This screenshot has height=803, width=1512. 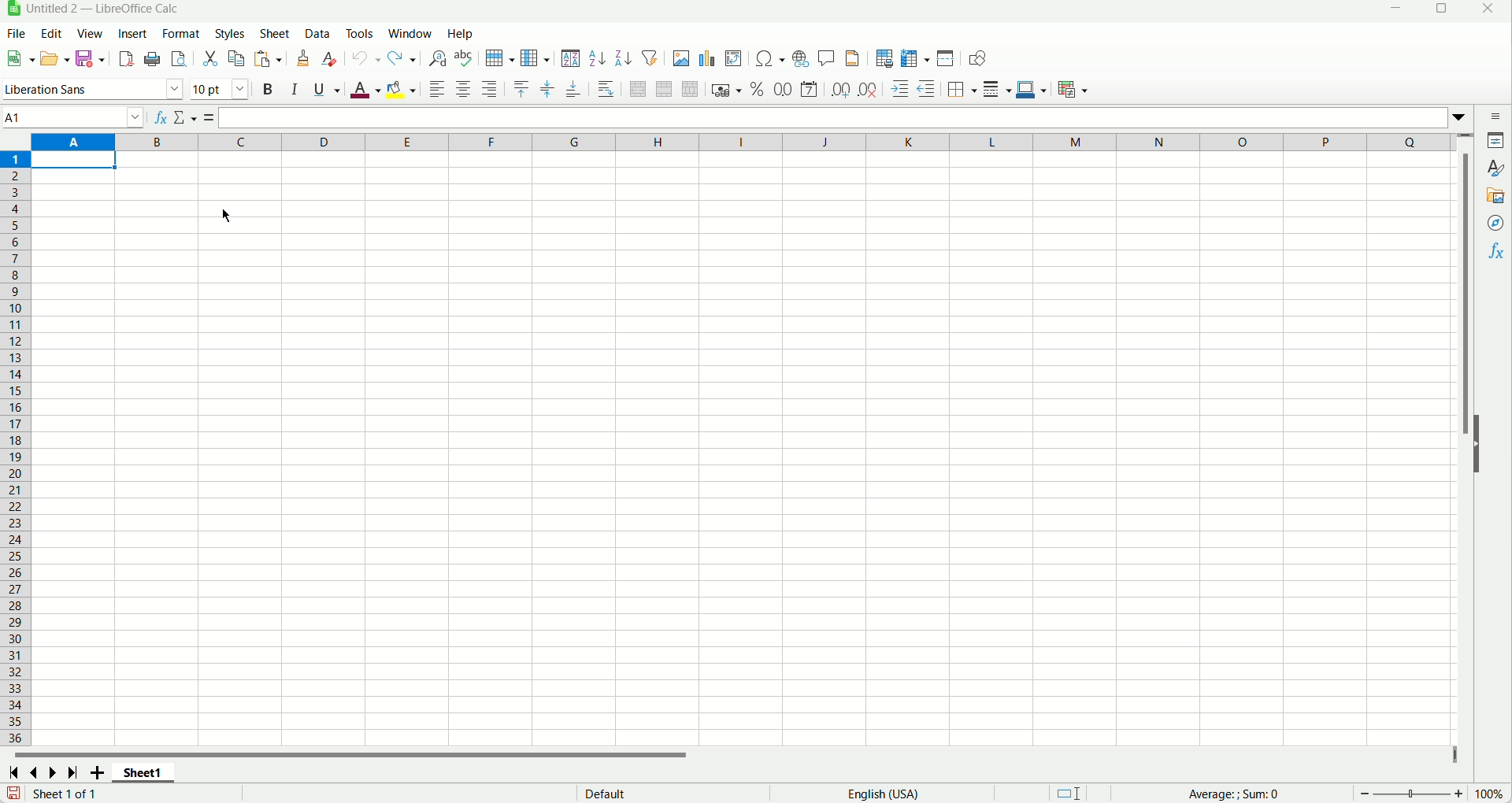 What do you see at coordinates (1495, 140) in the screenshot?
I see `Properties` at bounding box center [1495, 140].